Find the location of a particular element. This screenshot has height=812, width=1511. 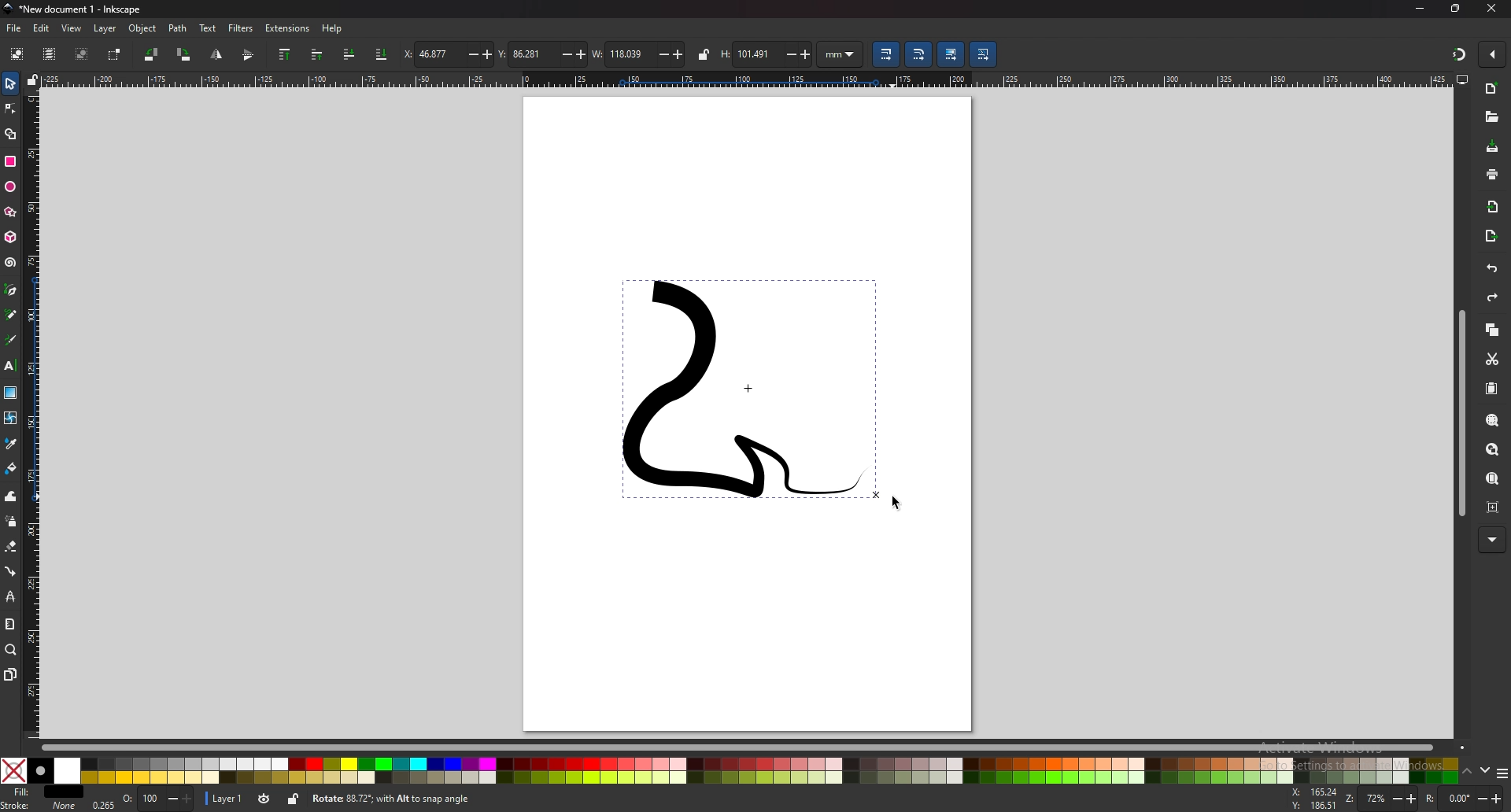

MORE is located at coordinates (1491, 538).